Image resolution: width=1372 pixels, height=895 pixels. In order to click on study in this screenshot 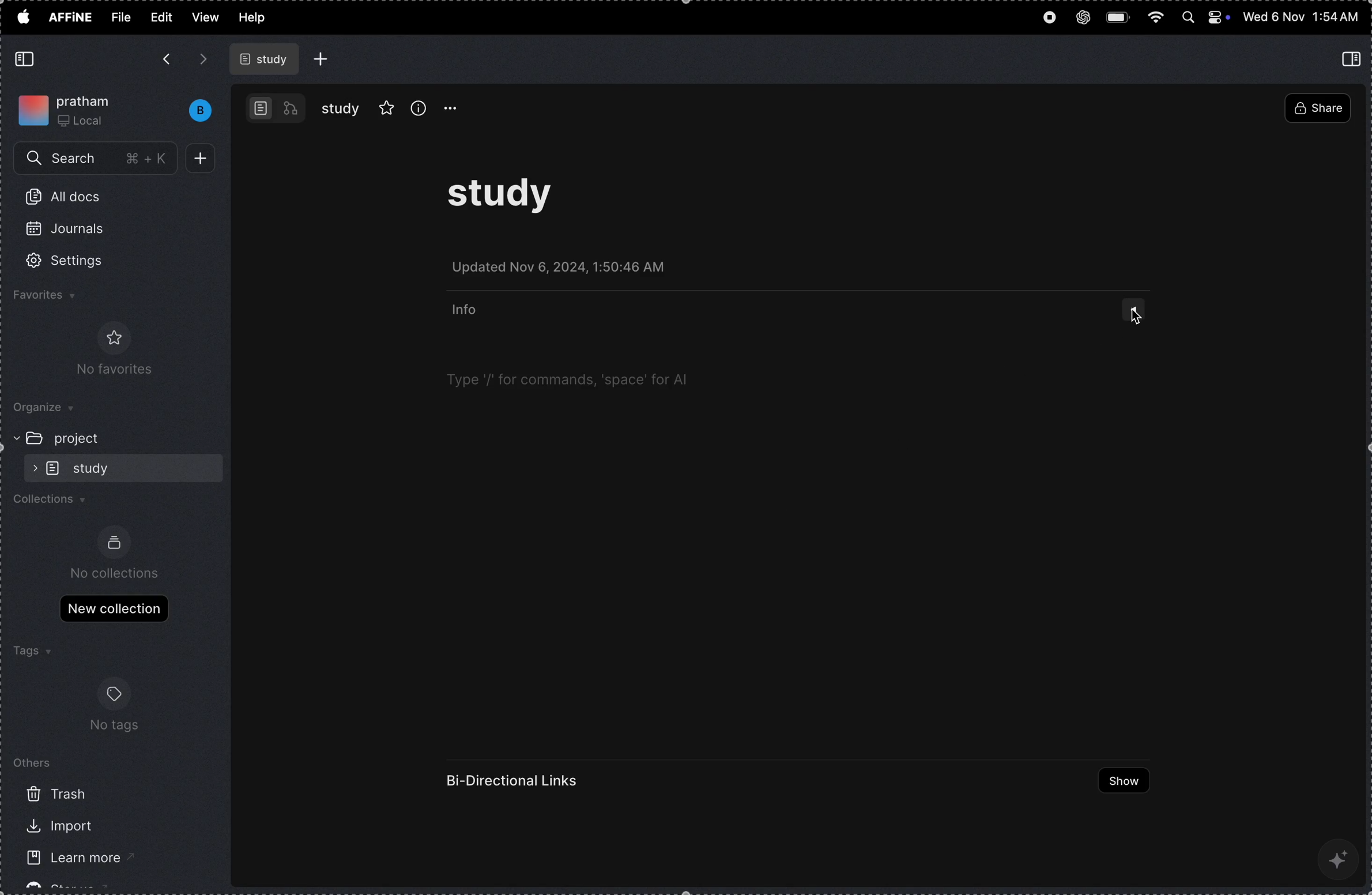, I will do `click(341, 108)`.